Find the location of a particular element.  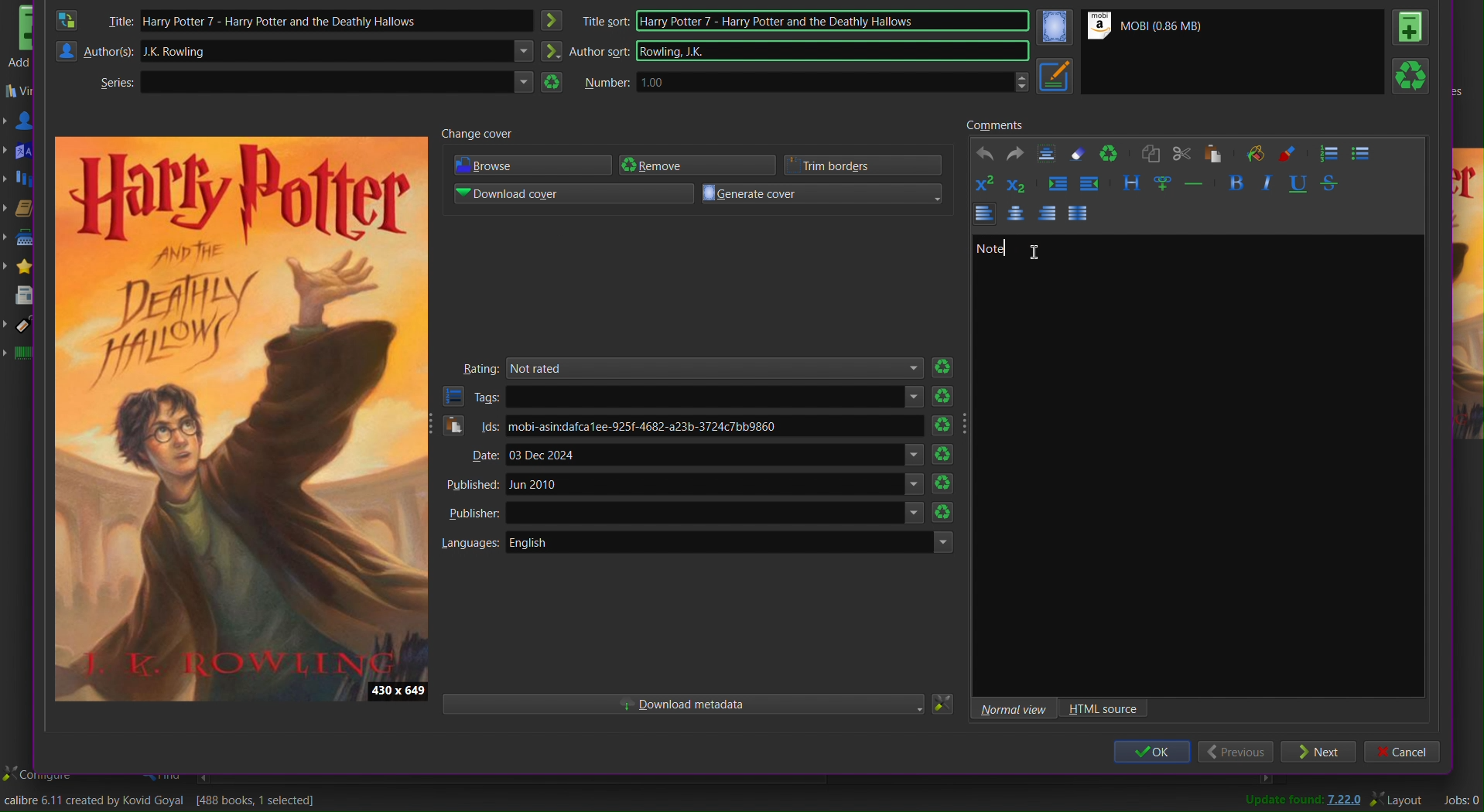

Tags is located at coordinates (22, 326).